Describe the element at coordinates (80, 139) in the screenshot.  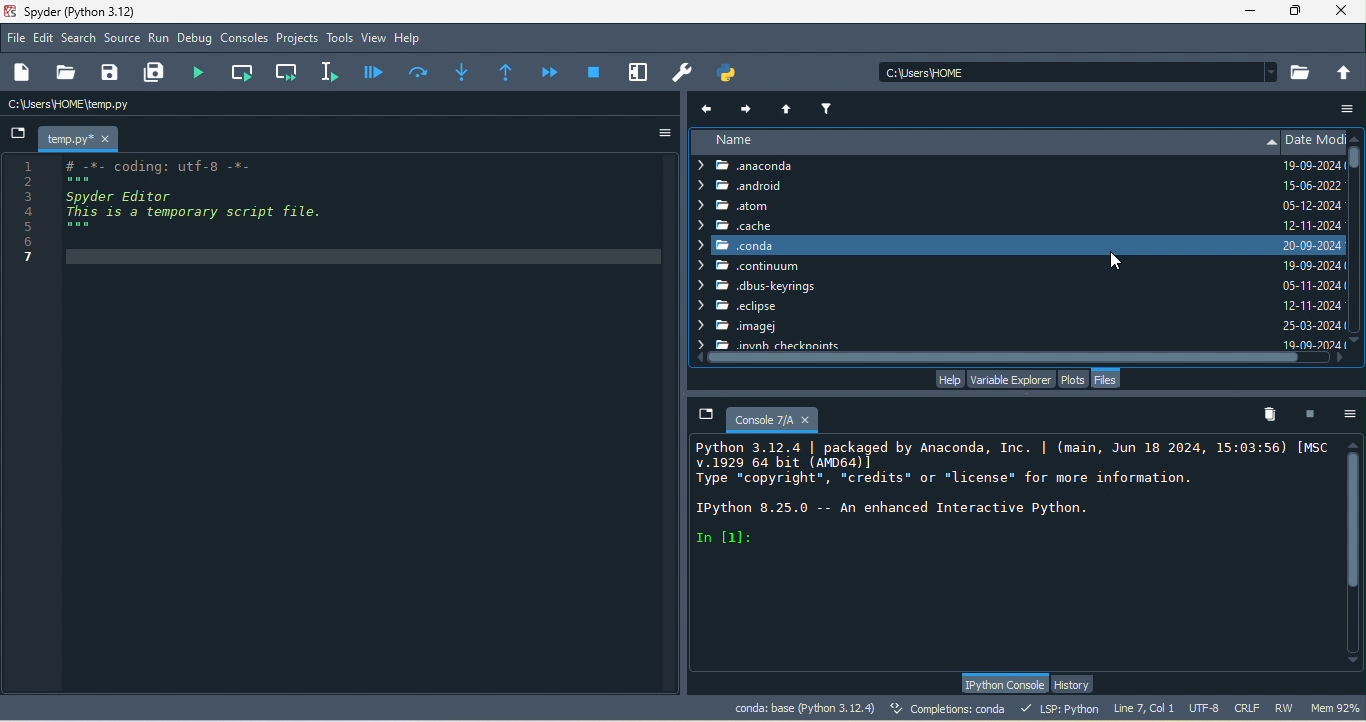
I see `temp` at that location.